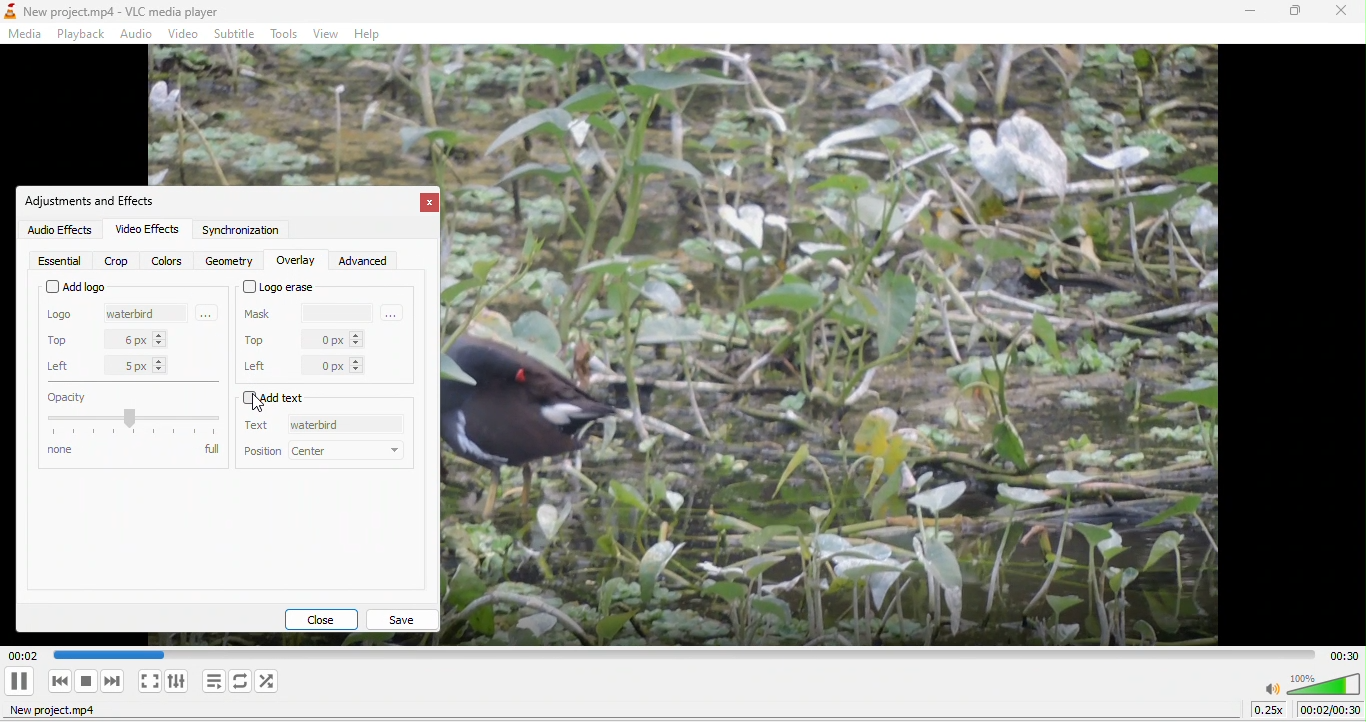 This screenshot has width=1366, height=722. What do you see at coordinates (271, 681) in the screenshot?
I see `random` at bounding box center [271, 681].